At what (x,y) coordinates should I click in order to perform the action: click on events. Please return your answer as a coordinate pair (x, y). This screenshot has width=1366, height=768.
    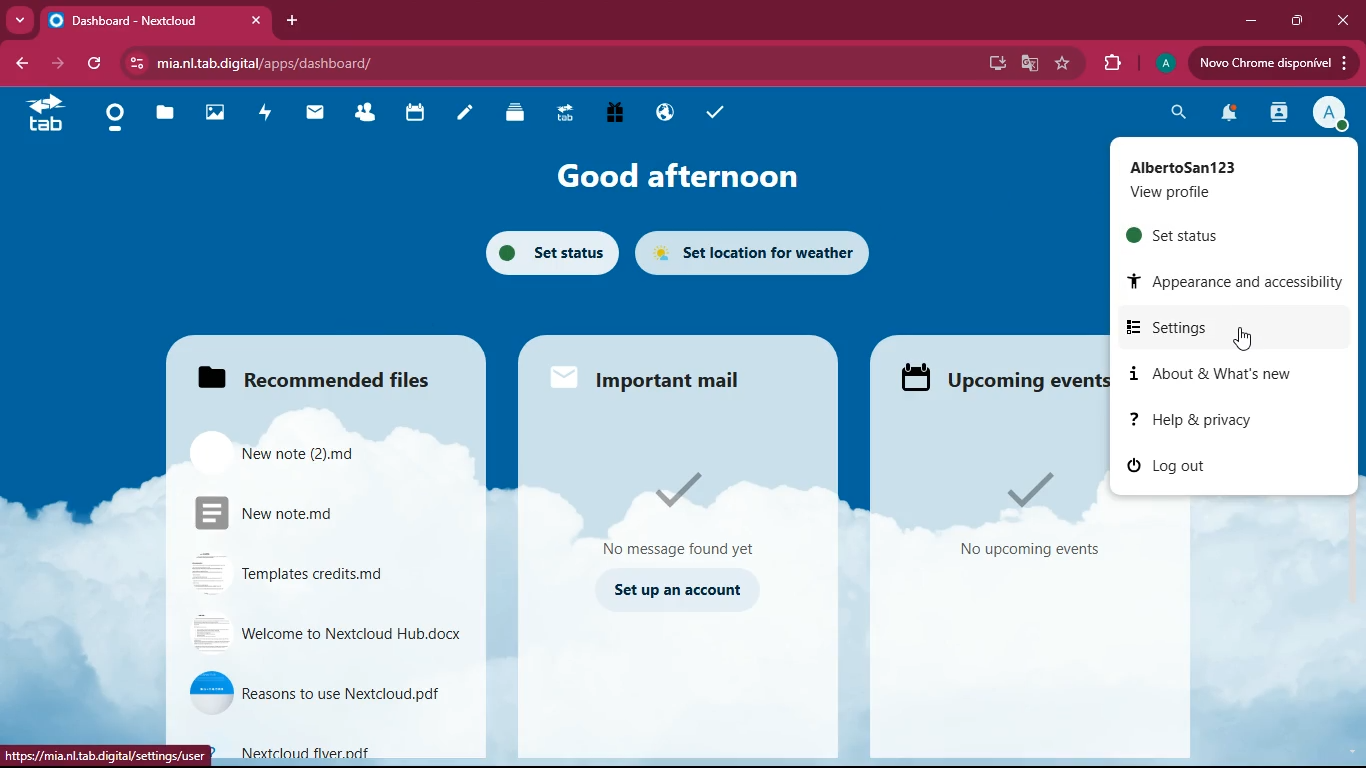
    Looking at the image, I should click on (1023, 517).